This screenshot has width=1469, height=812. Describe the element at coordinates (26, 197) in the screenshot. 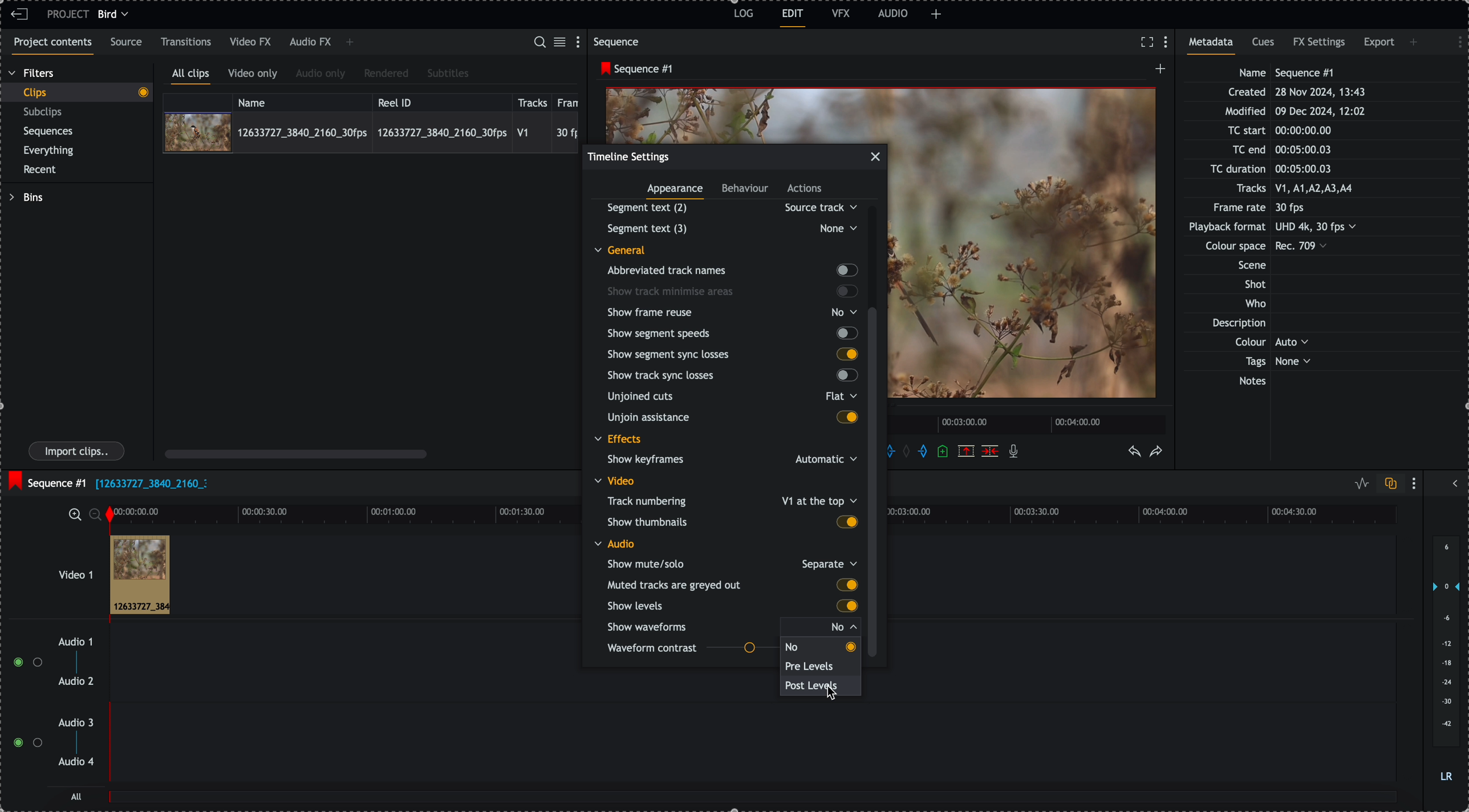

I see `bins` at that location.